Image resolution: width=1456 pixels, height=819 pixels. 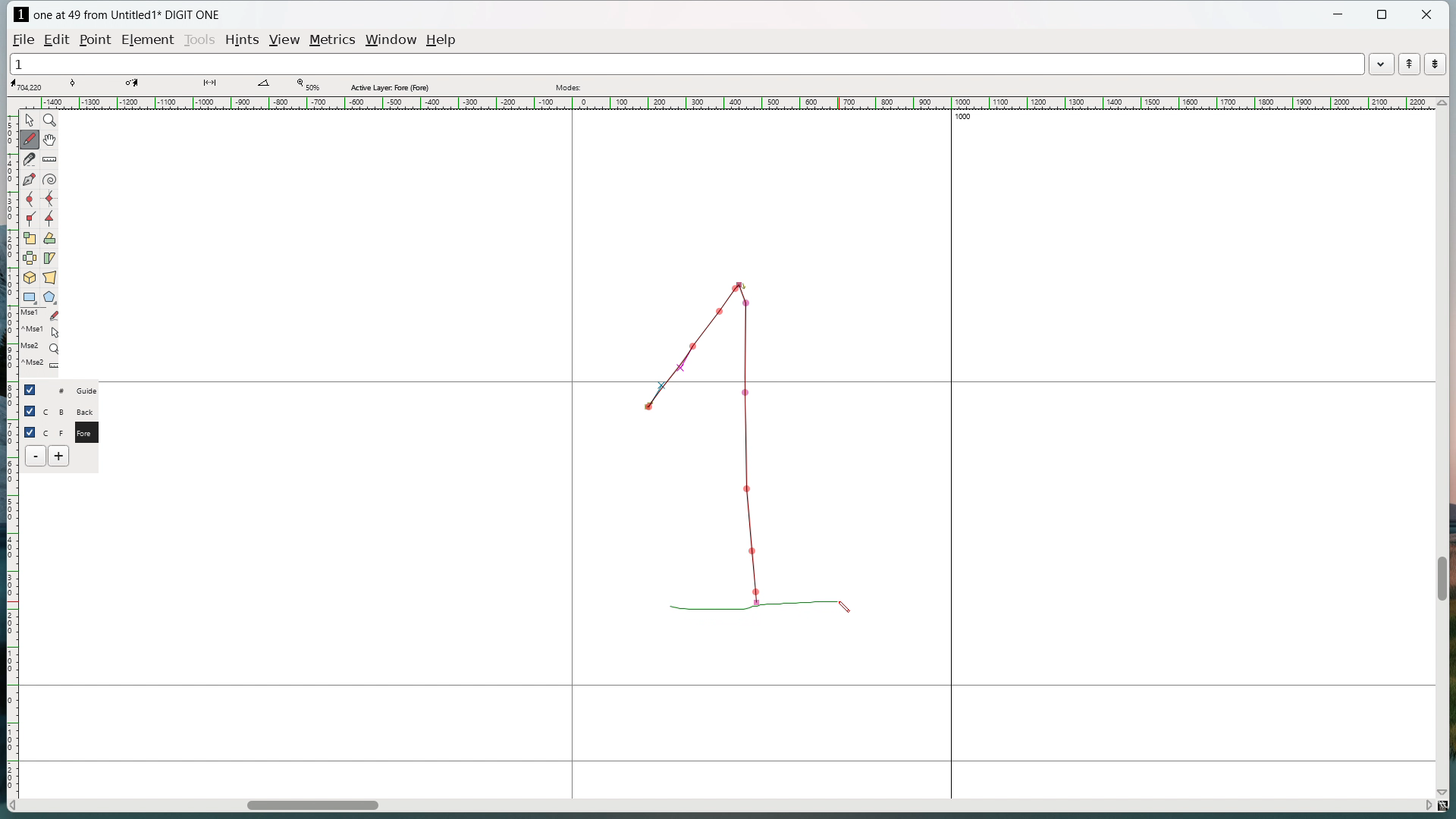 What do you see at coordinates (52, 139) in the screenshot?
I see `scroll by hand` at bounding box center [52, 139].